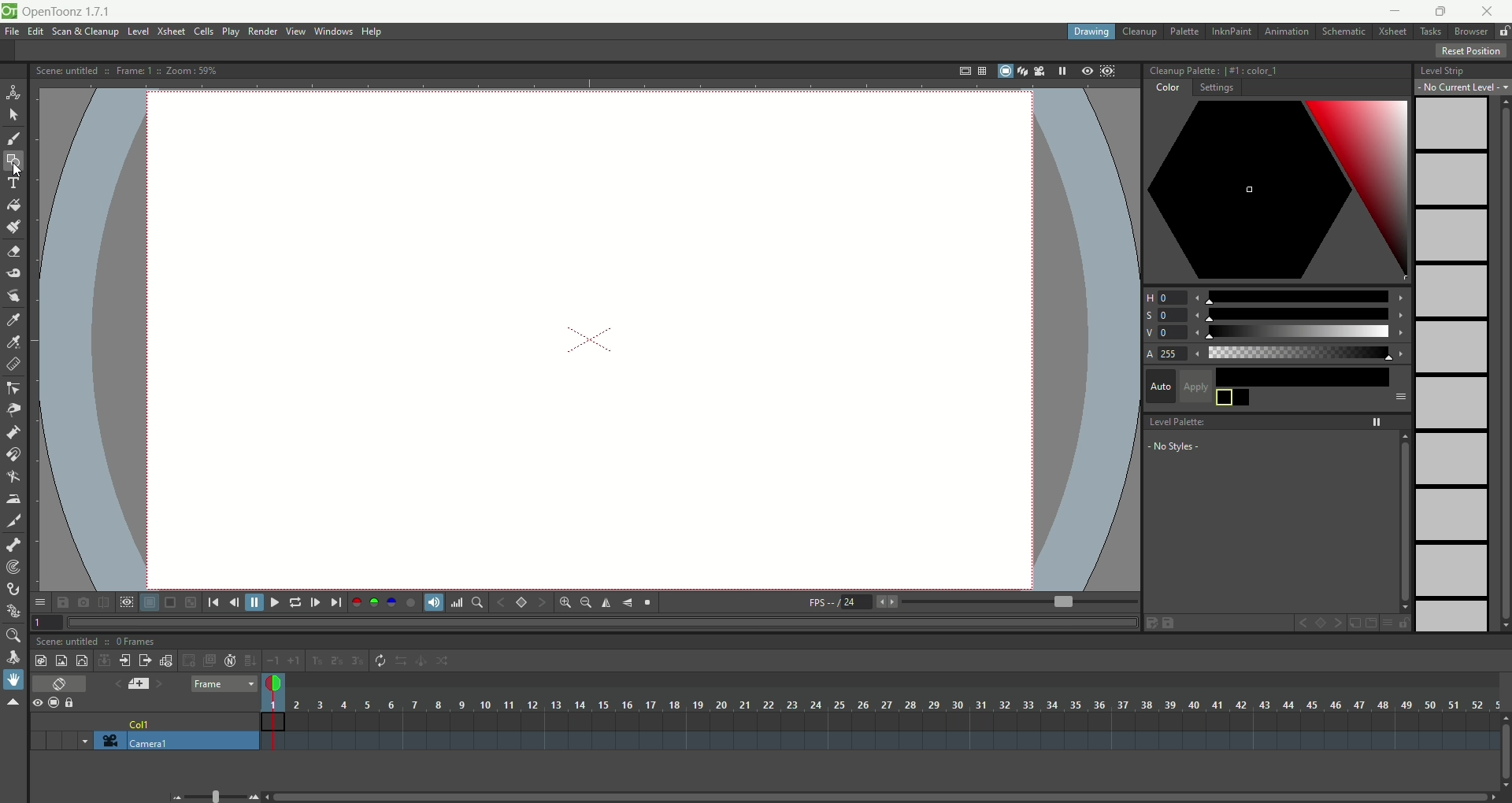  I want to click on cursor, so click(19, 171).